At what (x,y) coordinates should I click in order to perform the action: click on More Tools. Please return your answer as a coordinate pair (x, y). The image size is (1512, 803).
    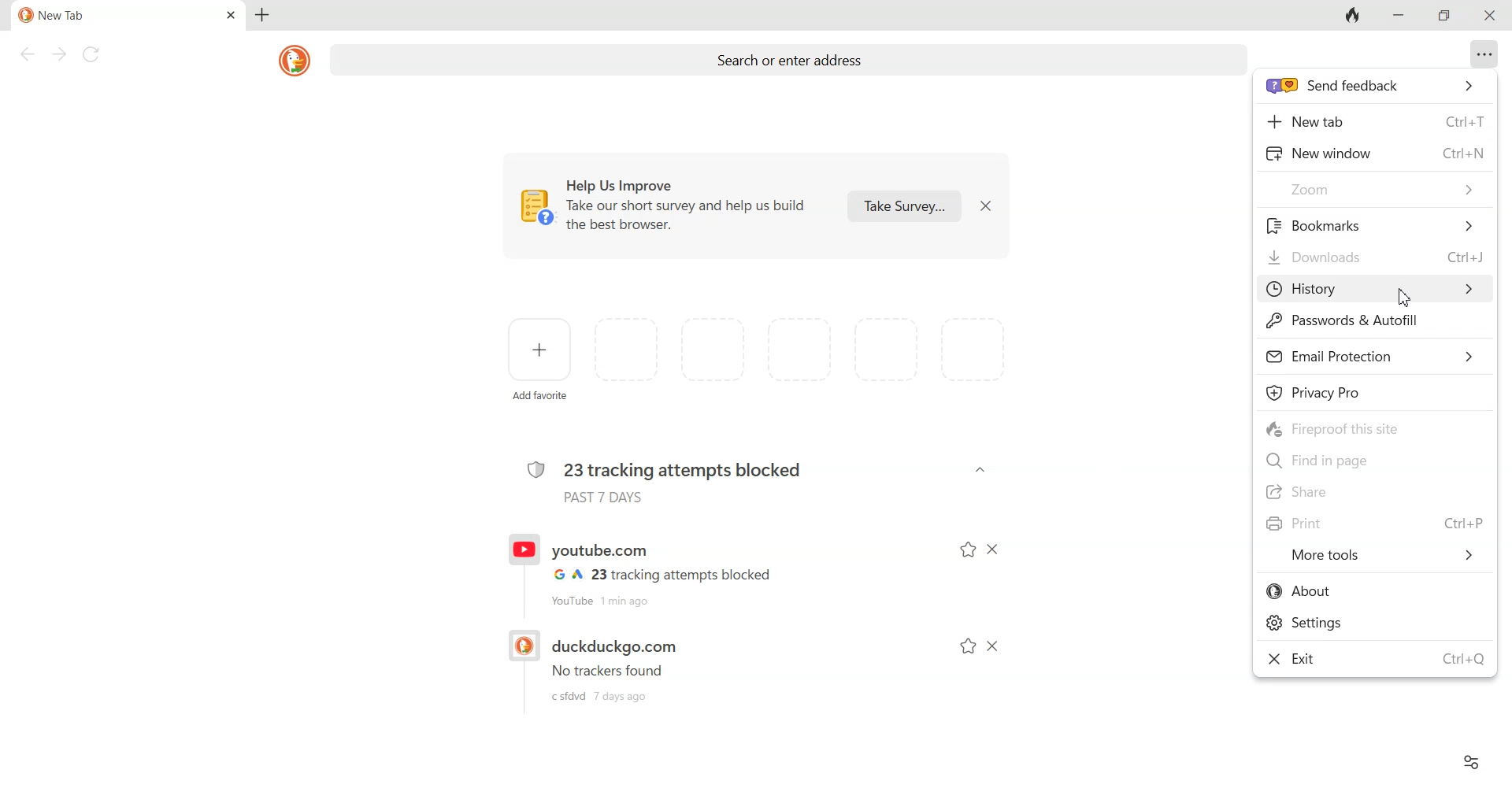
    Looking at the image, I should click on (1376, 552).